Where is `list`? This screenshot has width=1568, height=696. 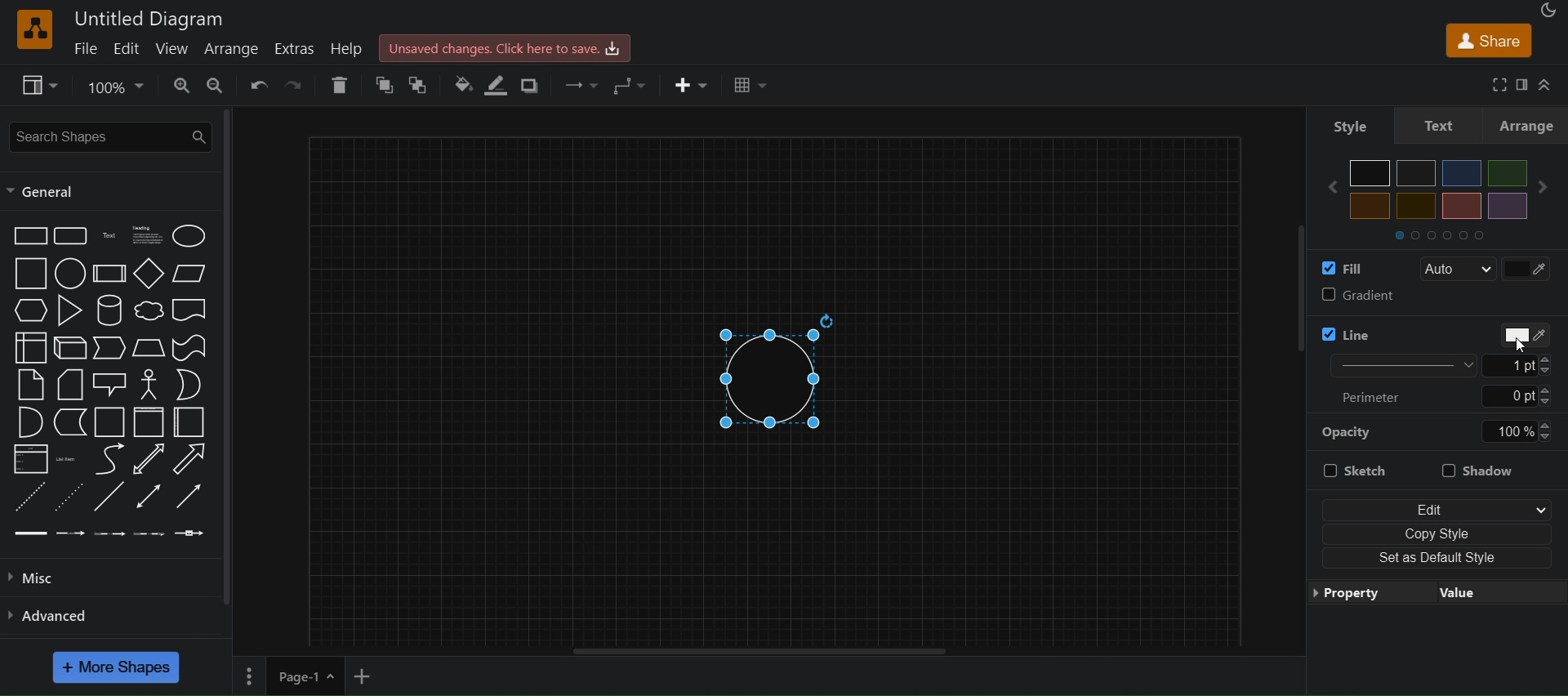
list is located at coordinates (29, 461).